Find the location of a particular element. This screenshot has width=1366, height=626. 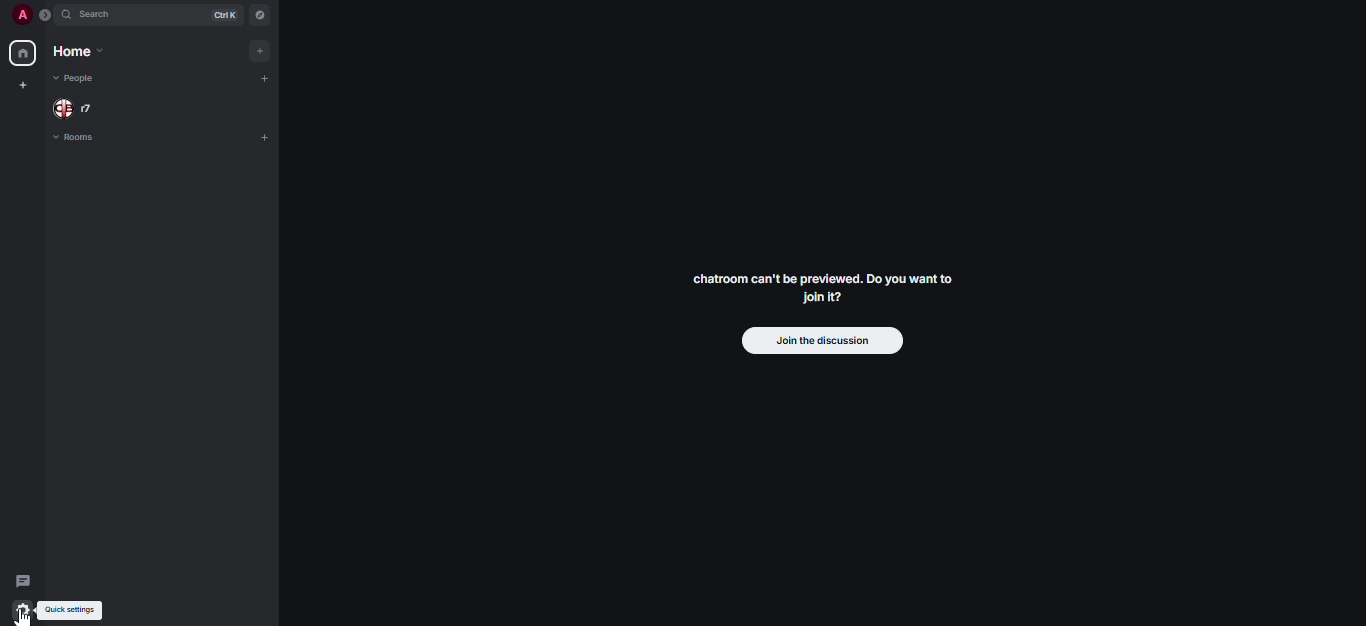

chatroom can't be previewed. Do you want to join it? is located at coordinates (823, 285).